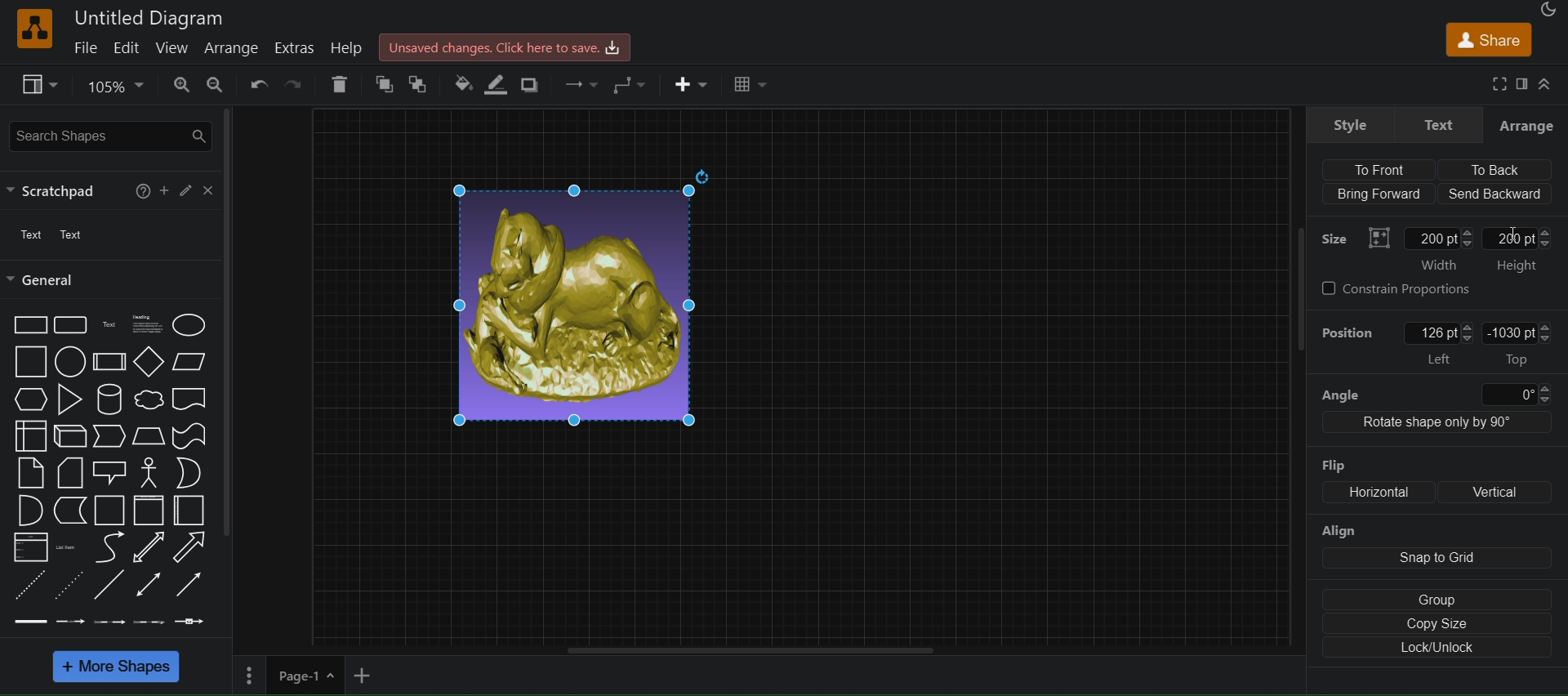  I want to click on Arrange, so click(1527, 125).